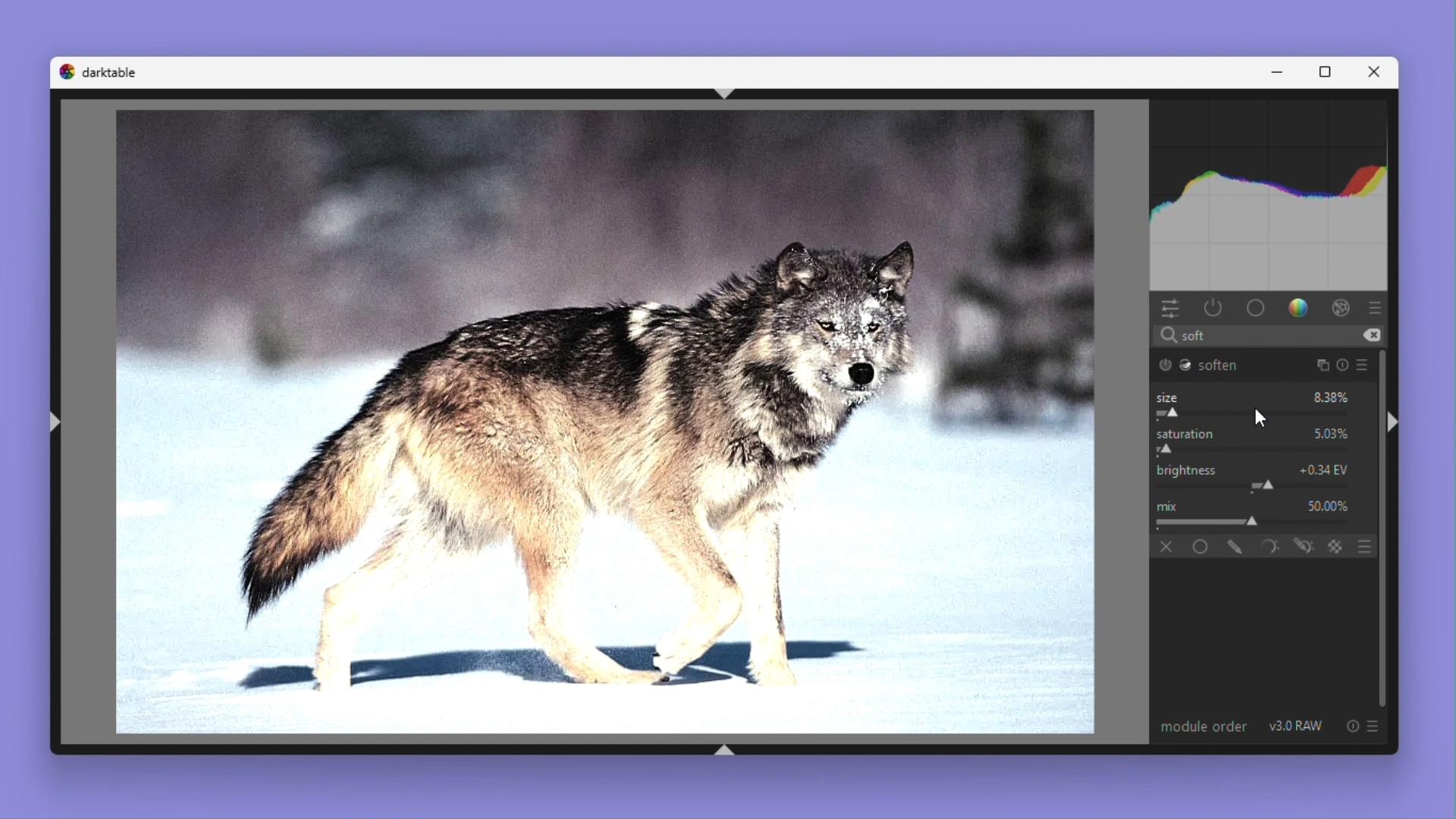 Image resolution: width=1456 pixels, height=819 pixels. What do you see at coordinates (1200, 365) in the screenshot?
I see `soften` at bounding box center [1200, 365].